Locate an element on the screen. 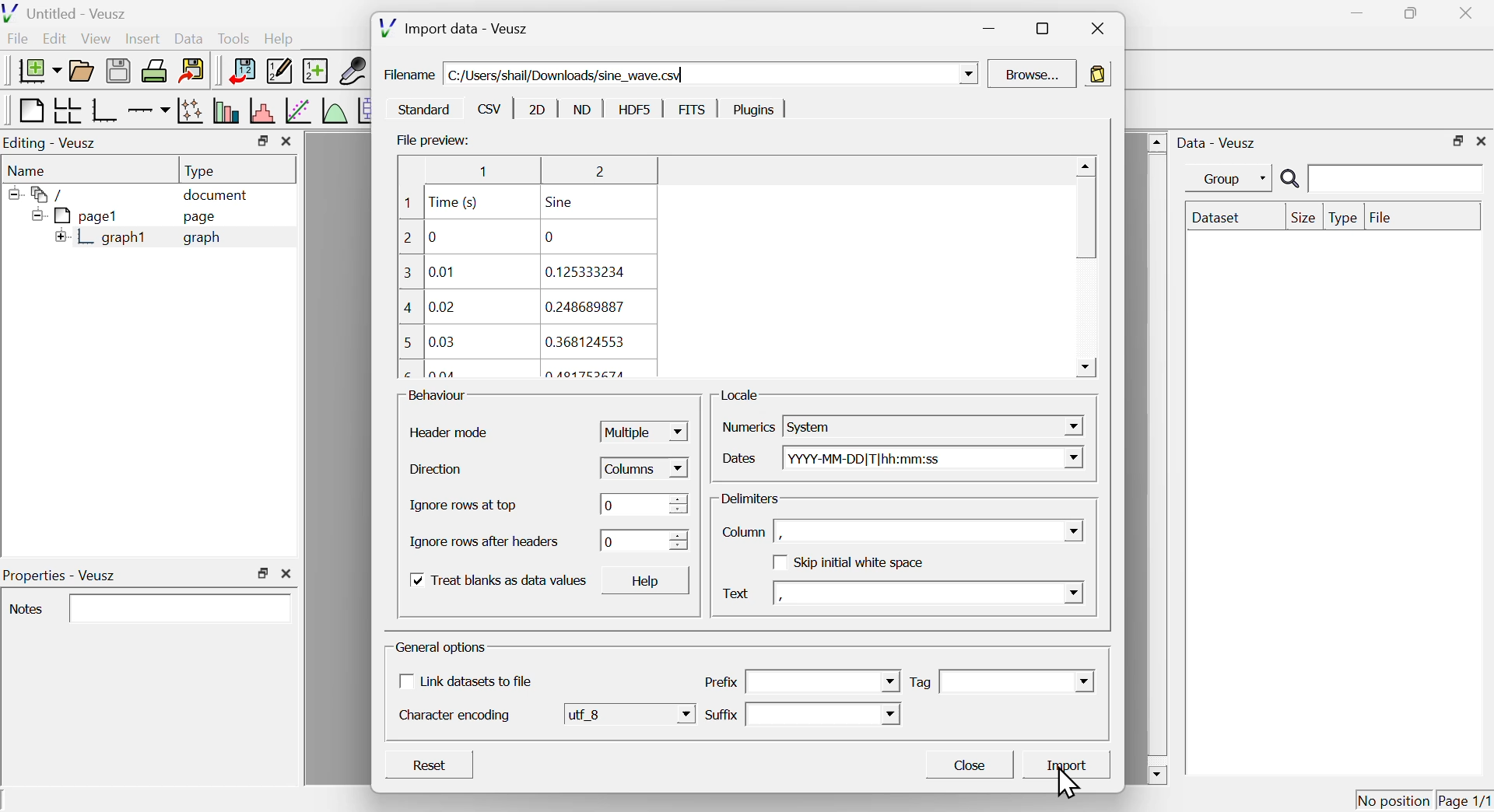 The image size is (1494, 812). Edit is located at coordinates (55, 40).